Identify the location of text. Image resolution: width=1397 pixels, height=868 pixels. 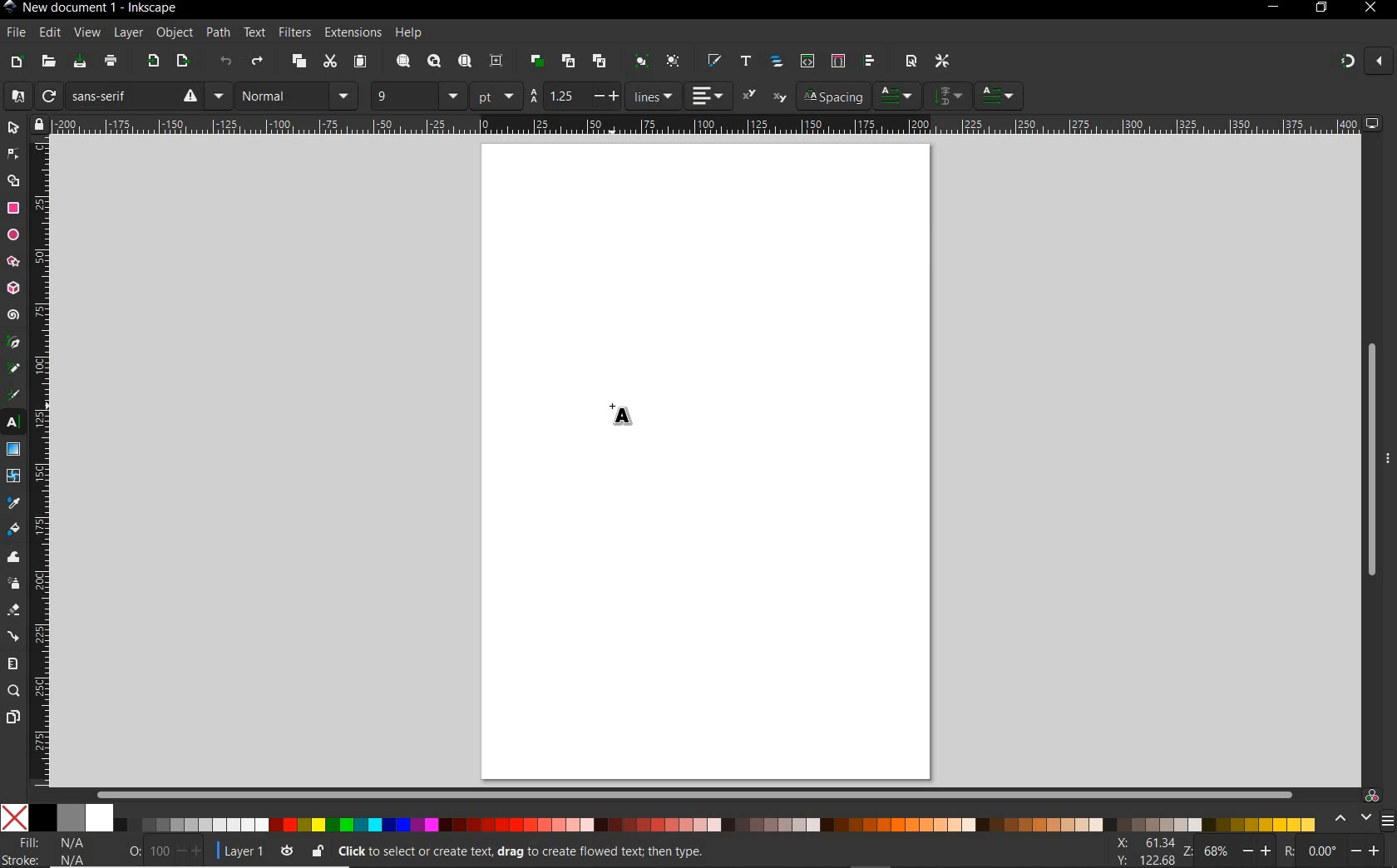
(252, 33).